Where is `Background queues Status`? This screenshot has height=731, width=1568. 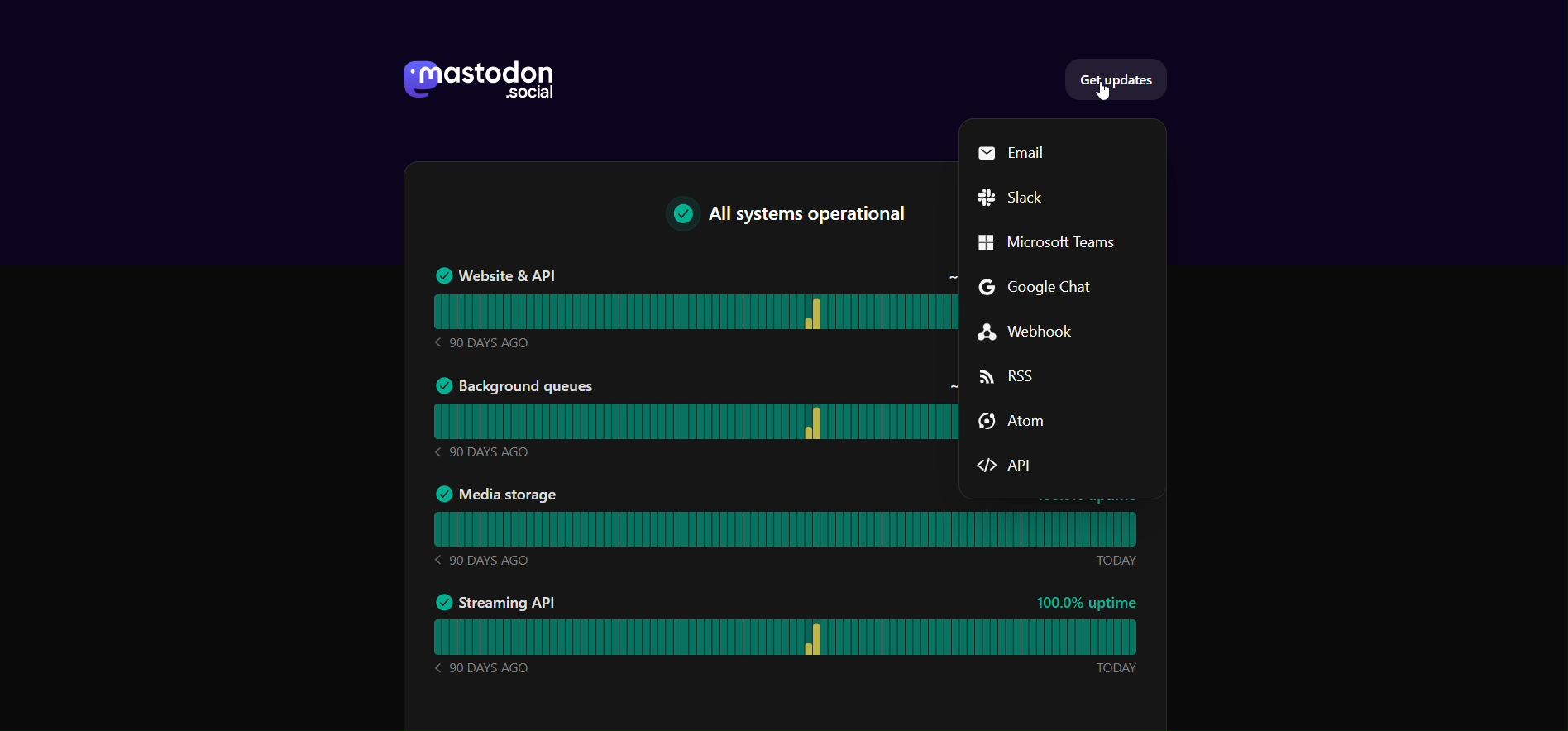 Background queues Status is located at coordinates (691, 422).